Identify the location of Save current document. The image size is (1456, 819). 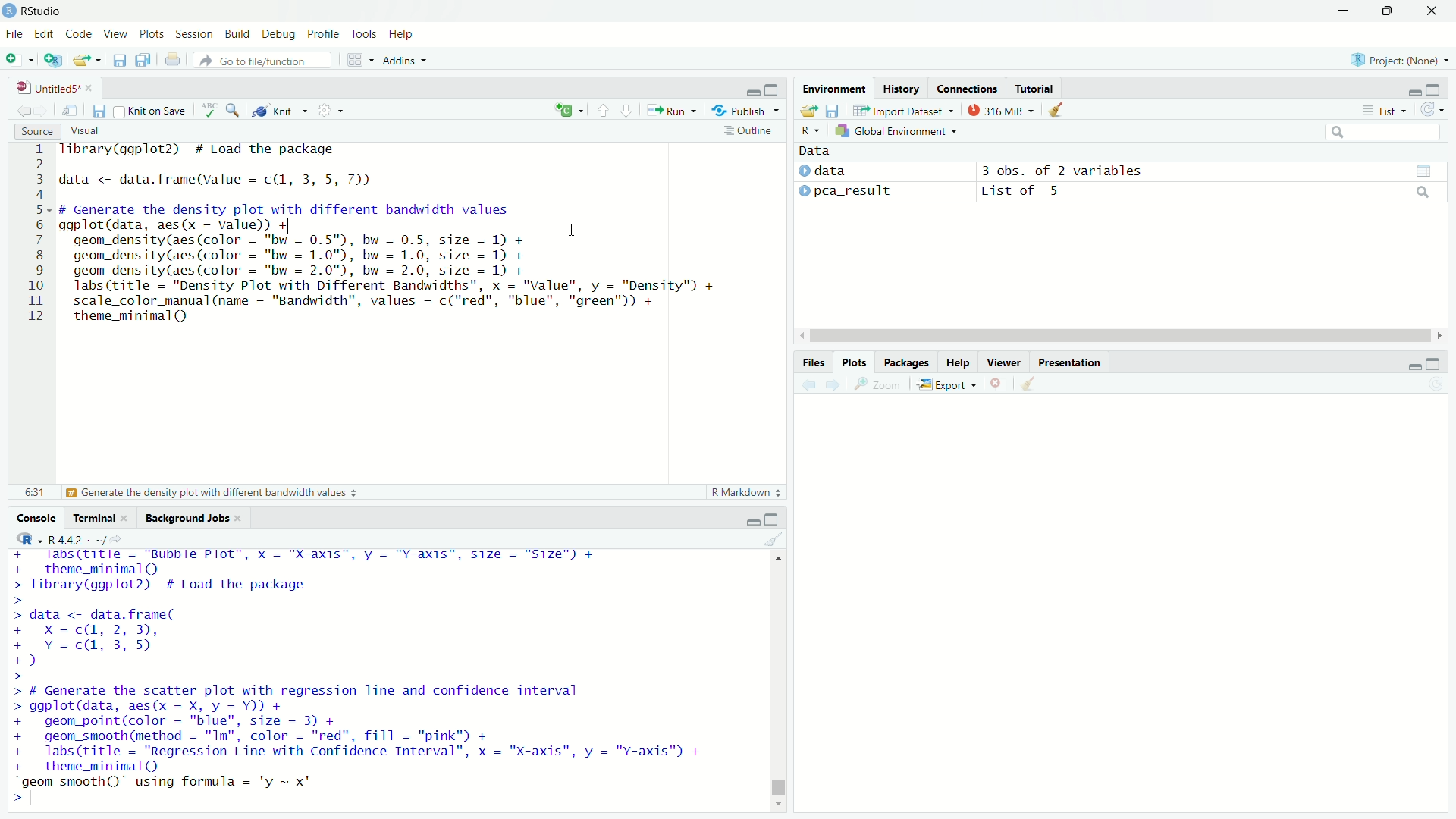
(119, 61).